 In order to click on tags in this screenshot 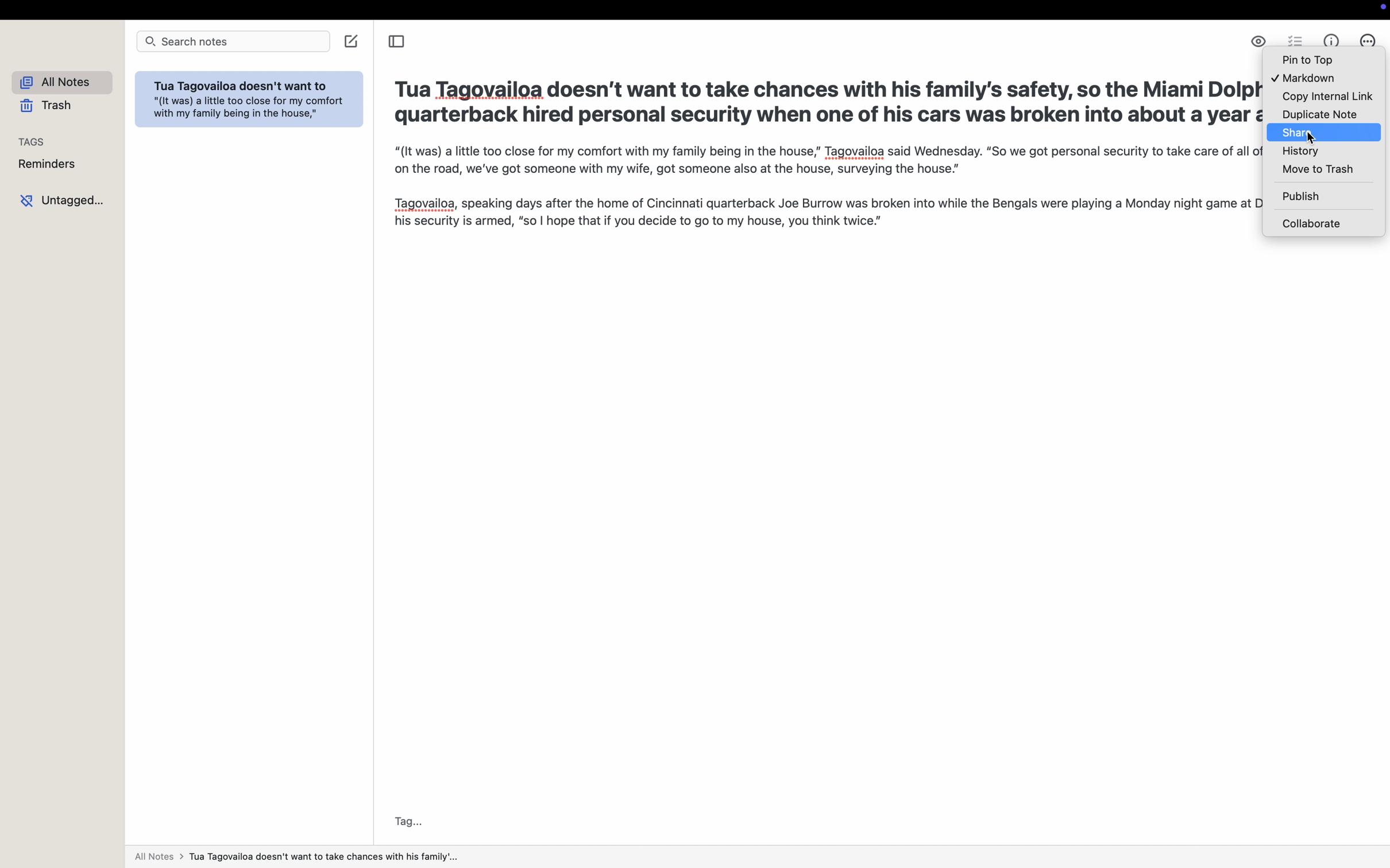, I will do `click(34, 138)`.